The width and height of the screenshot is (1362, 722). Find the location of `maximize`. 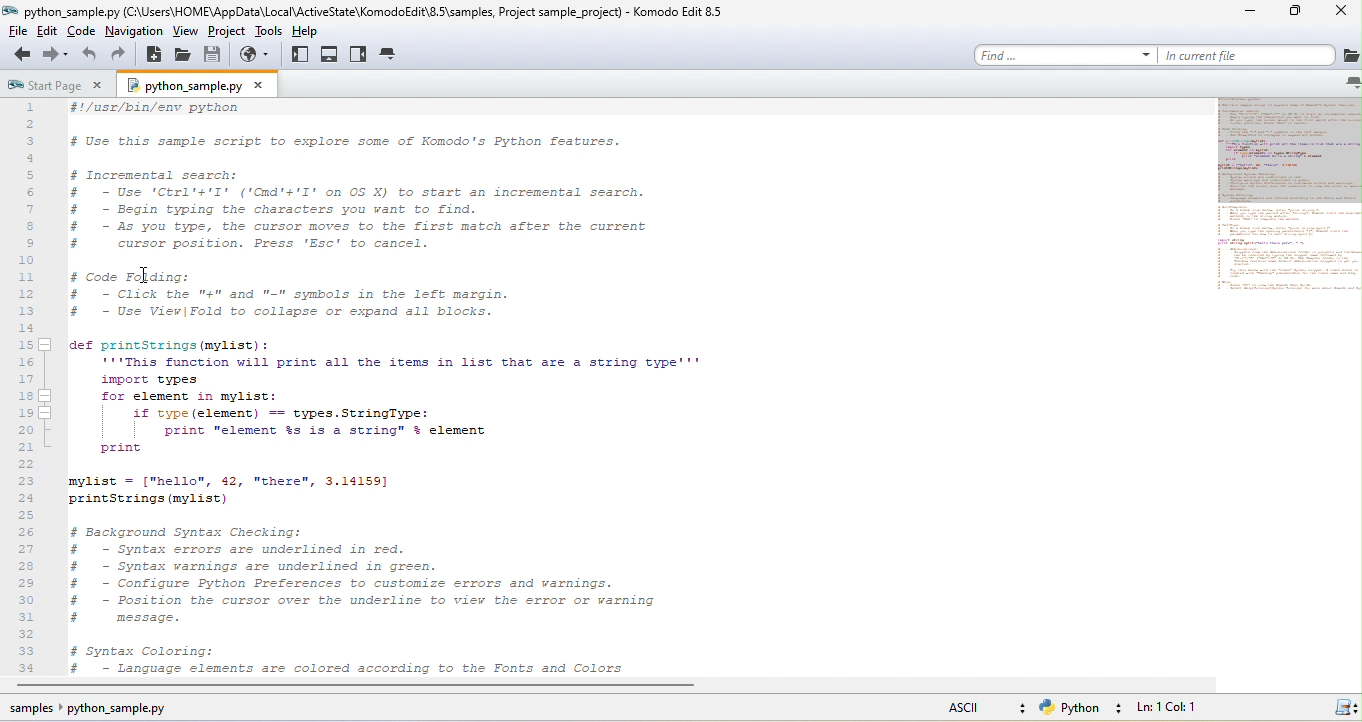

maximize is located at coordinates (1299, 11).